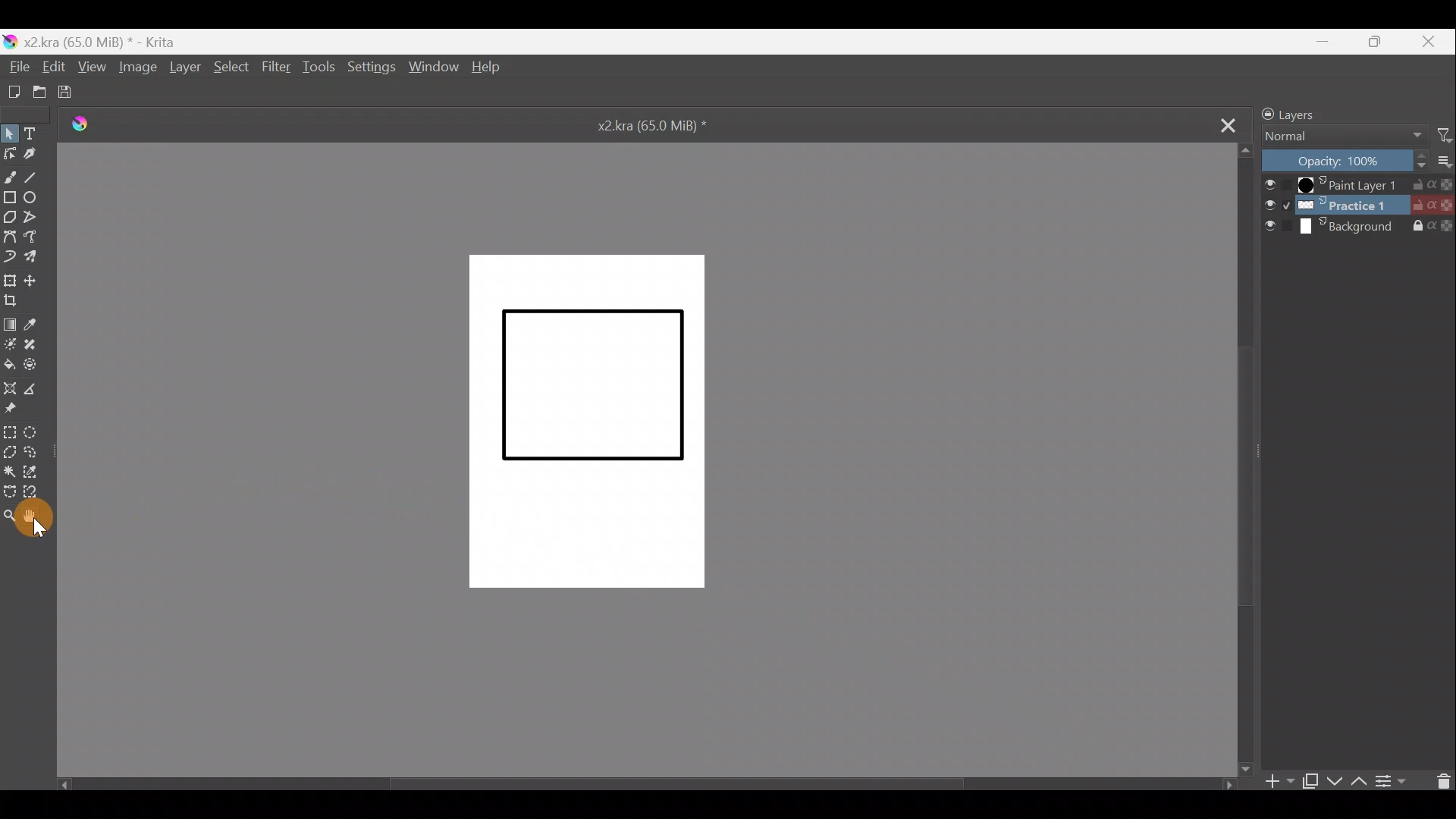 The width and height of the screenshot is (1456, 819). Describe the element at coordinates (36, 257) in the screenshot. I see `Multibrush tool` at that location.